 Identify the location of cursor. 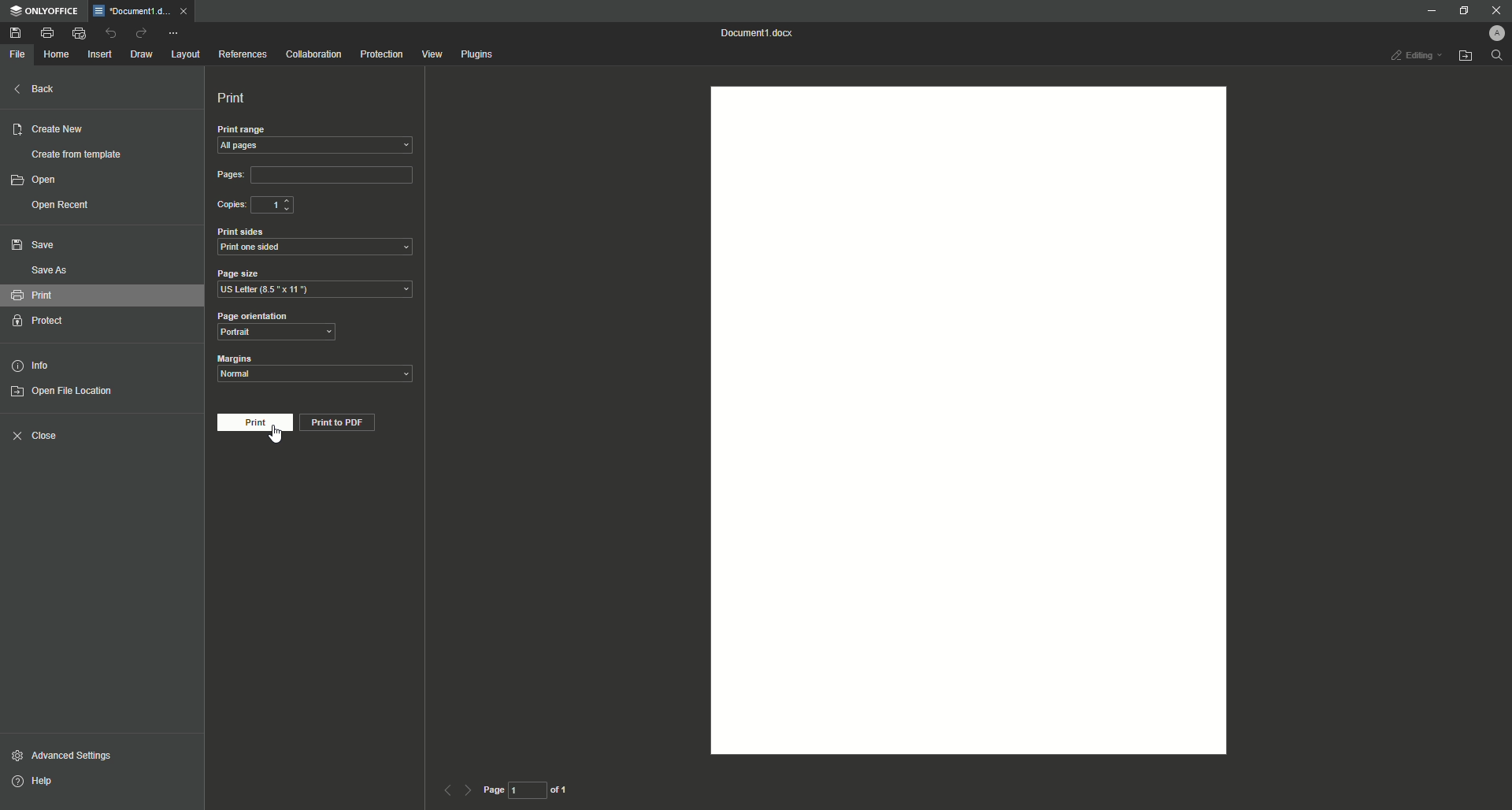
(283, 440).